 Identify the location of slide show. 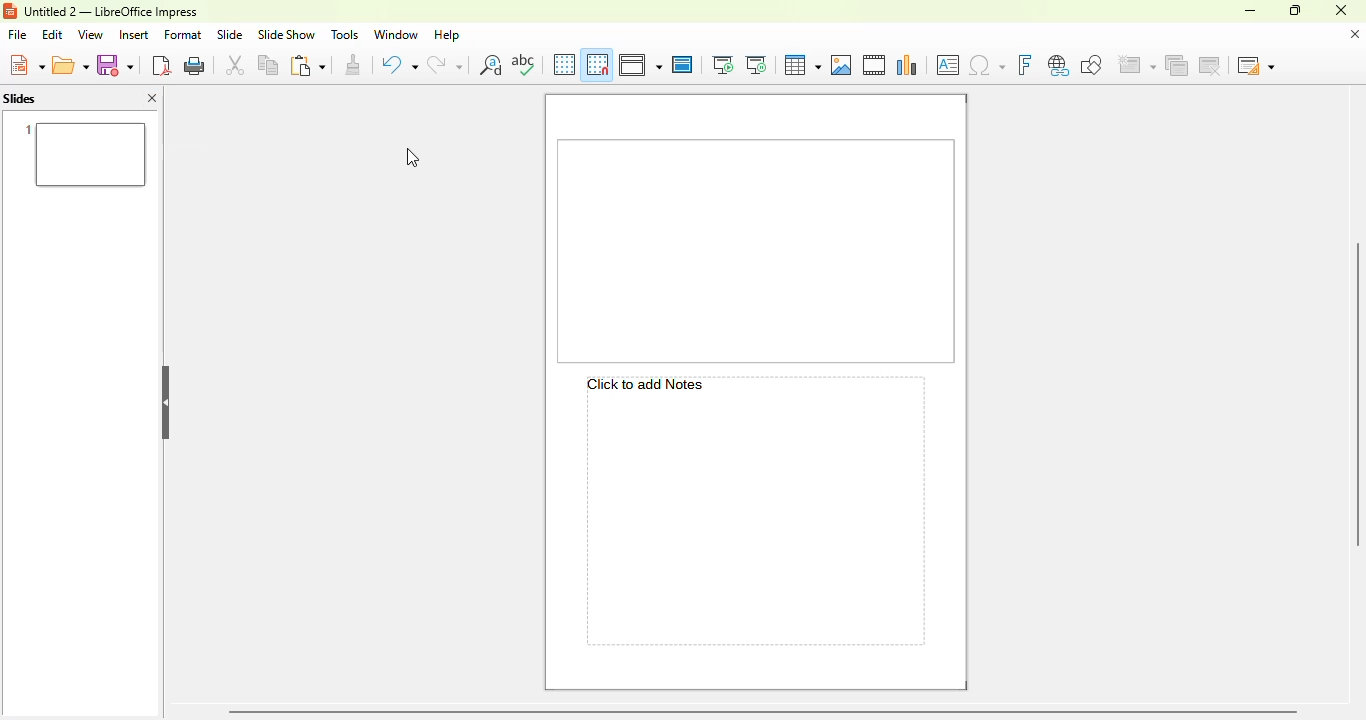
(287, 34).